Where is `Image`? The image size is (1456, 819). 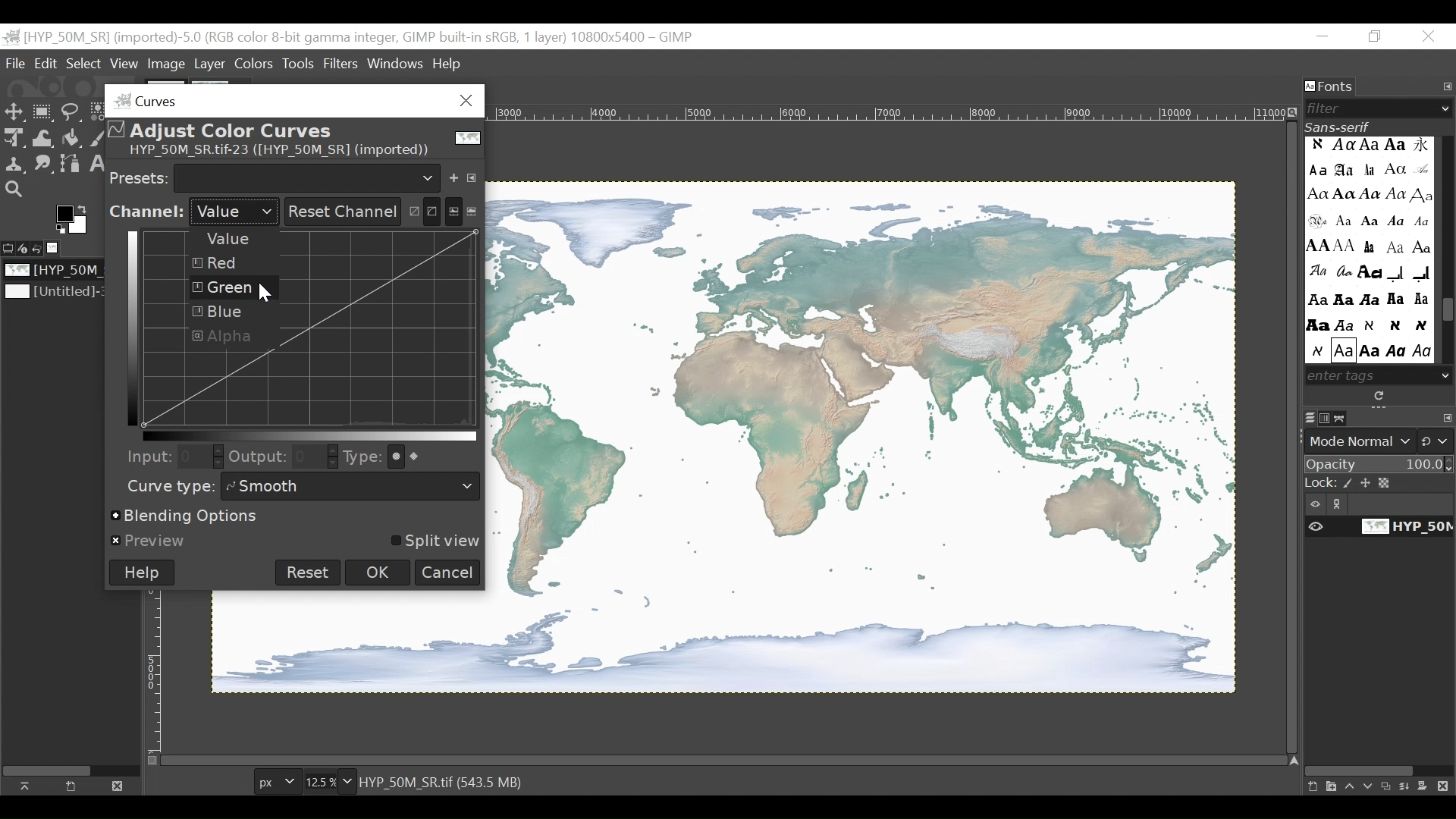
Image is located at coordinates (55, 293).